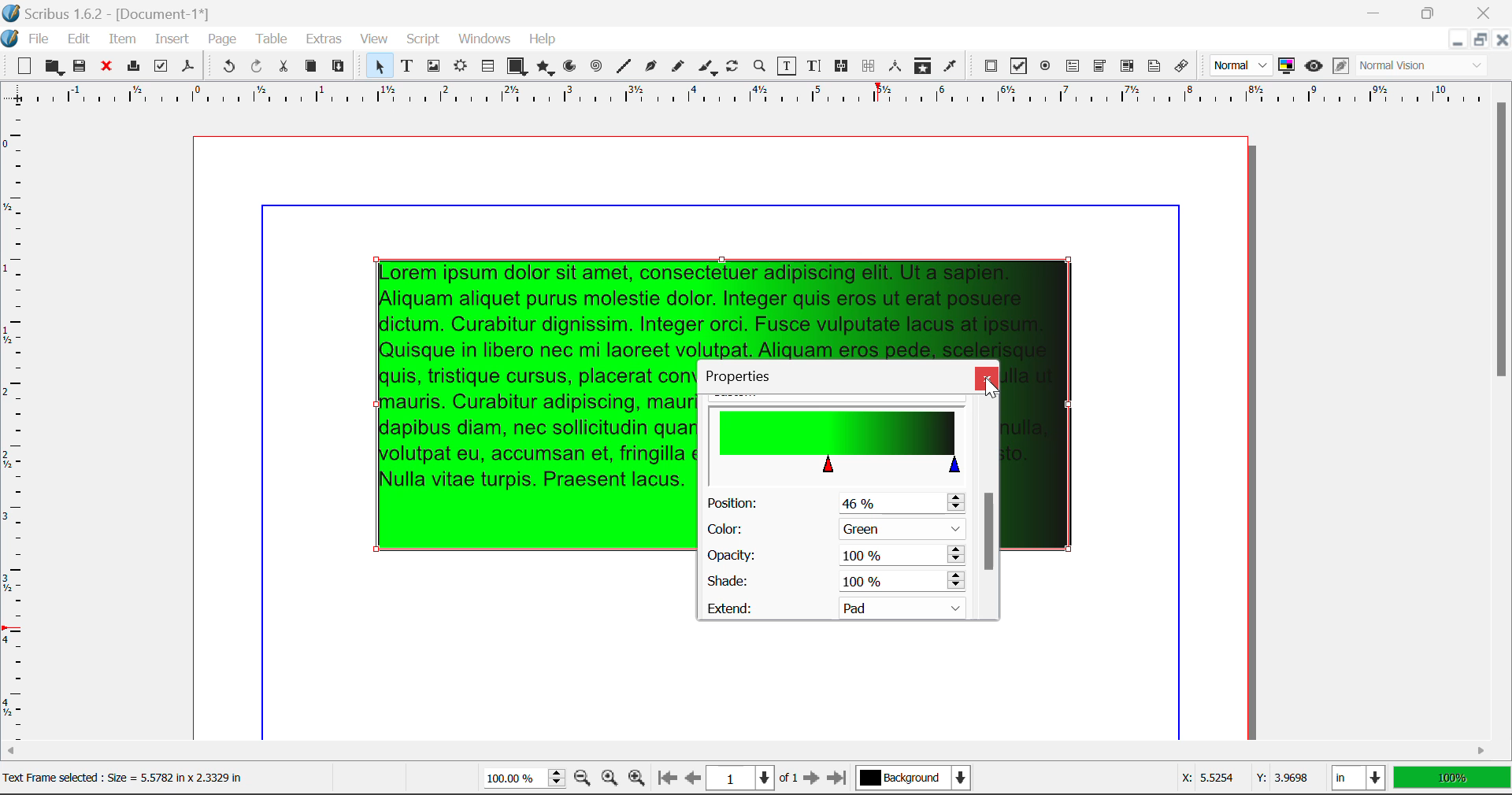  What do you see at coordinates (1241, 778) in the screenshot?
I see `Cursor Coordinates` at bounding box center [1241, 778].